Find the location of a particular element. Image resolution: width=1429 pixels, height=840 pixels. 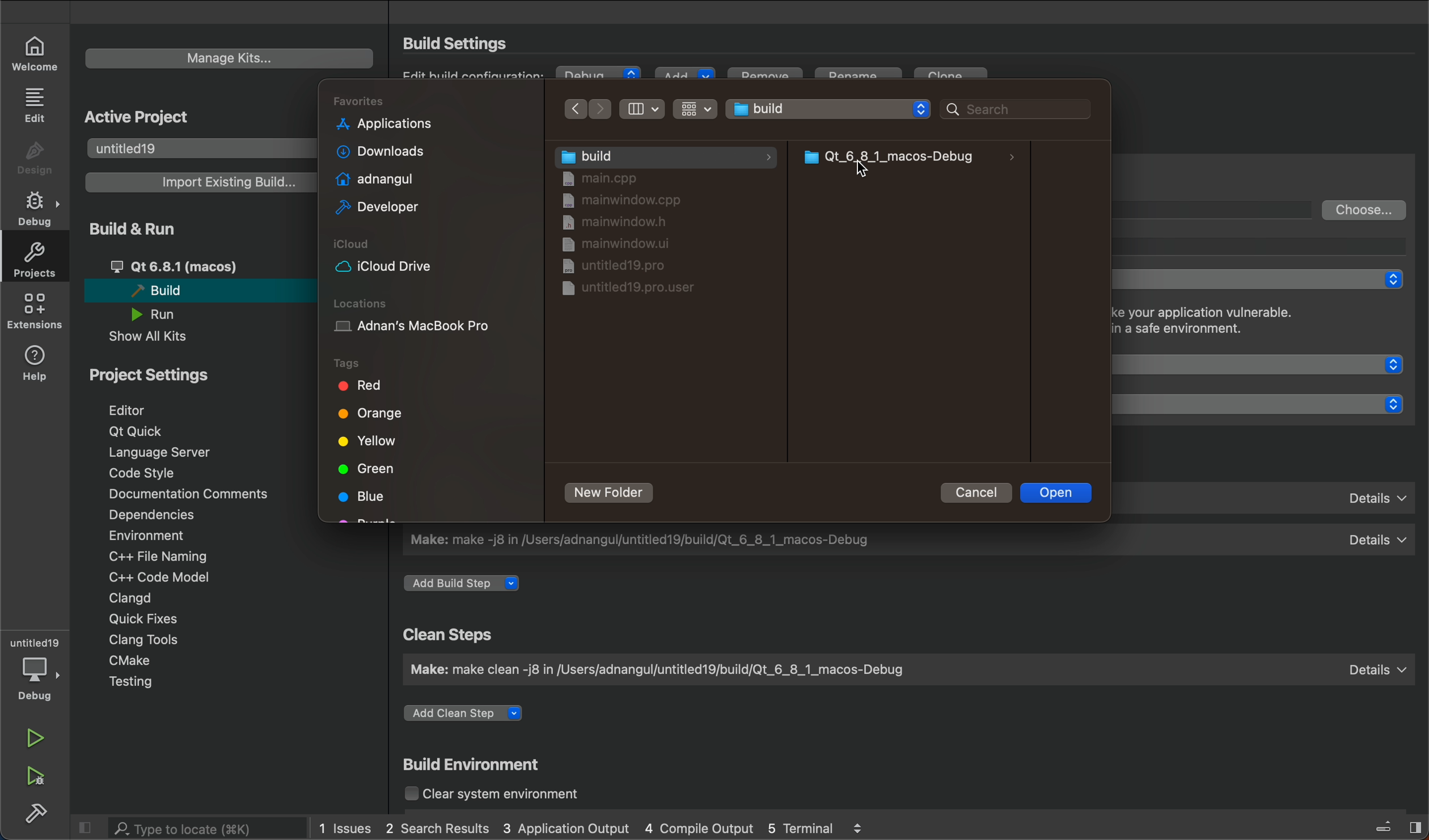

might make your application vulnerable only use in a safe environment. is located at coordinates (1234, 323).